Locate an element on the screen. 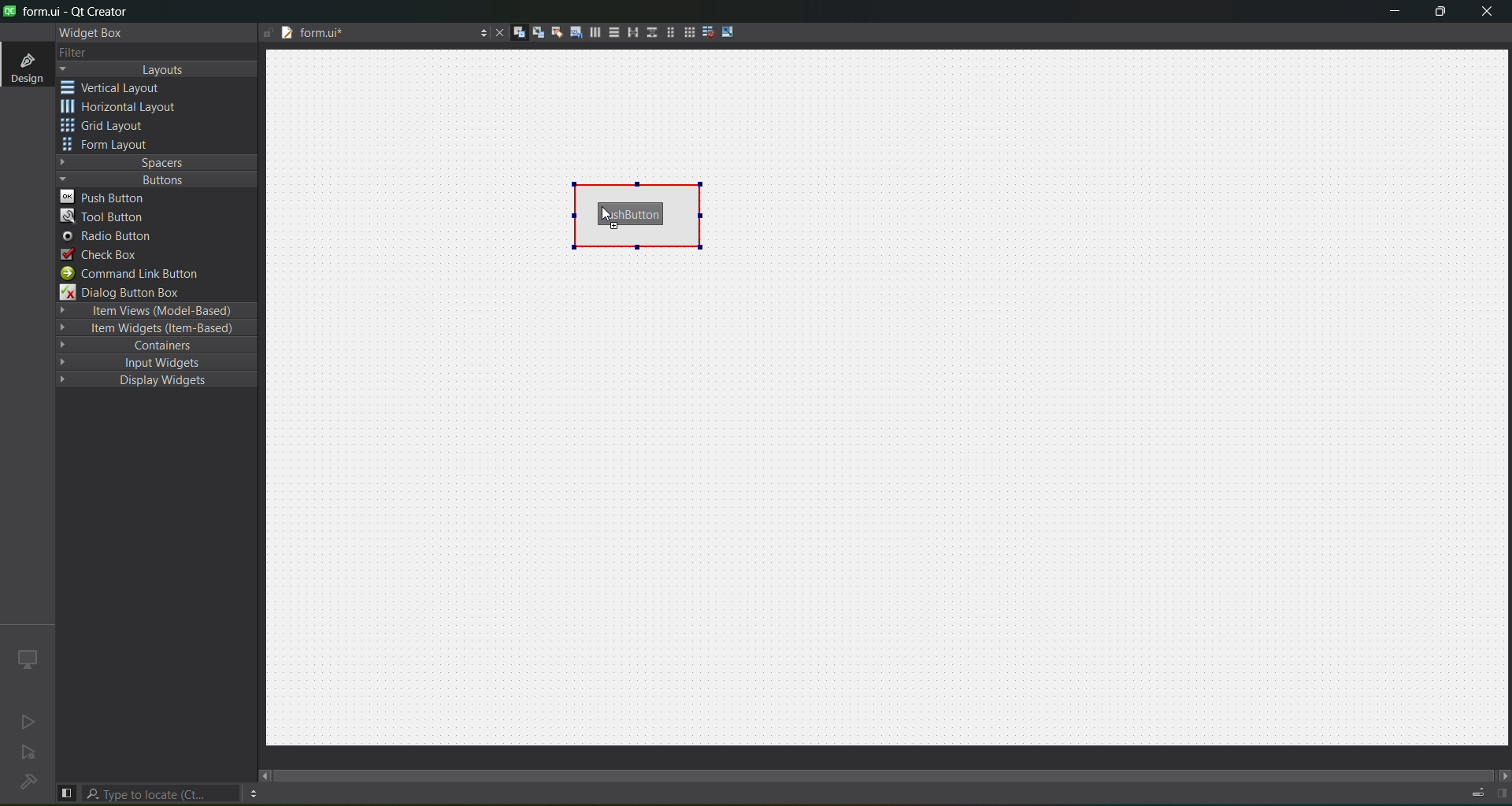 This screenshot has width=1512, height=806. no active project is located at coordinates (29, 755).